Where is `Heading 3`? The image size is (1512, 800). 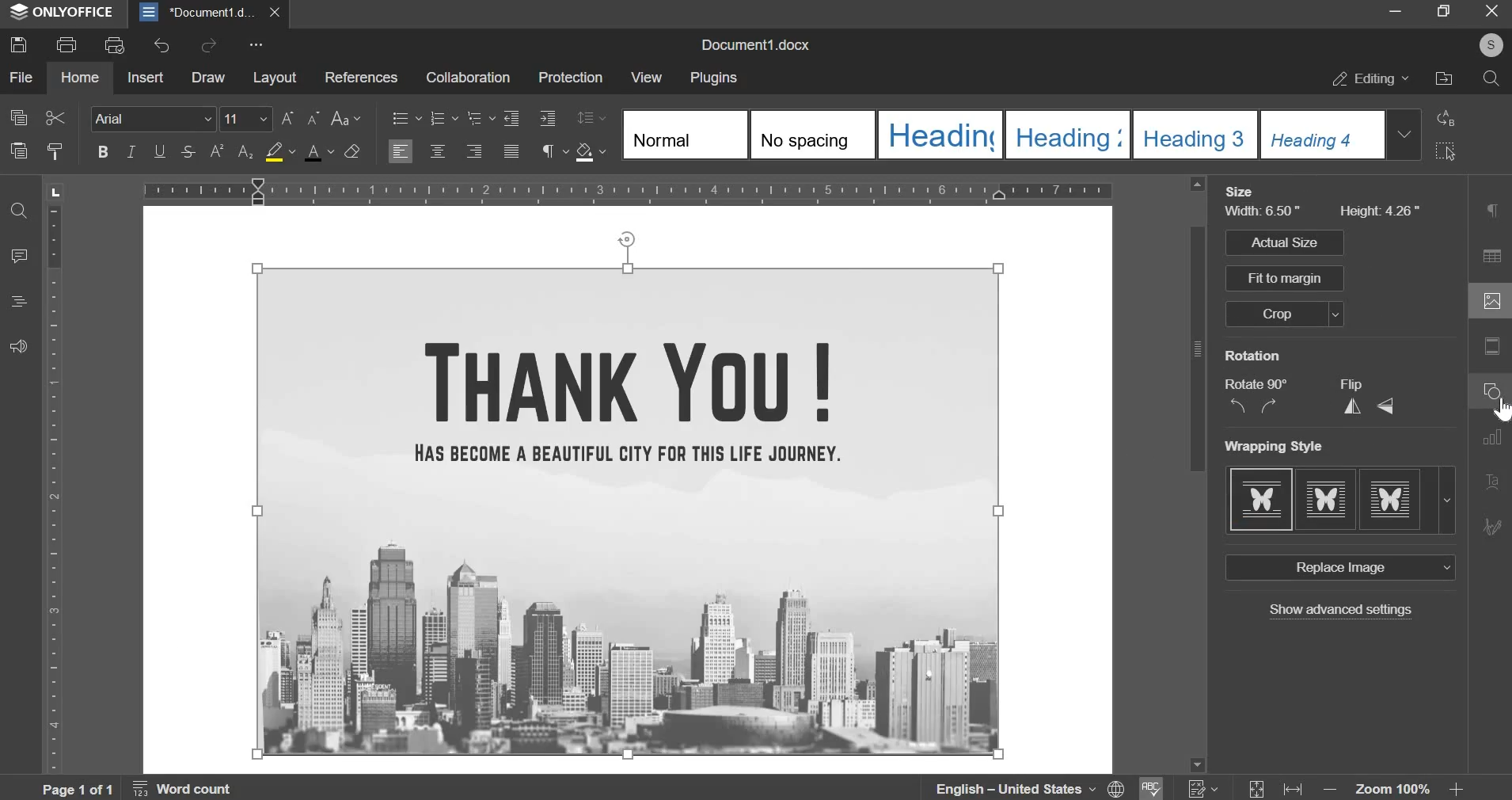 Heading 3 is located at coordinates (1192, 135).